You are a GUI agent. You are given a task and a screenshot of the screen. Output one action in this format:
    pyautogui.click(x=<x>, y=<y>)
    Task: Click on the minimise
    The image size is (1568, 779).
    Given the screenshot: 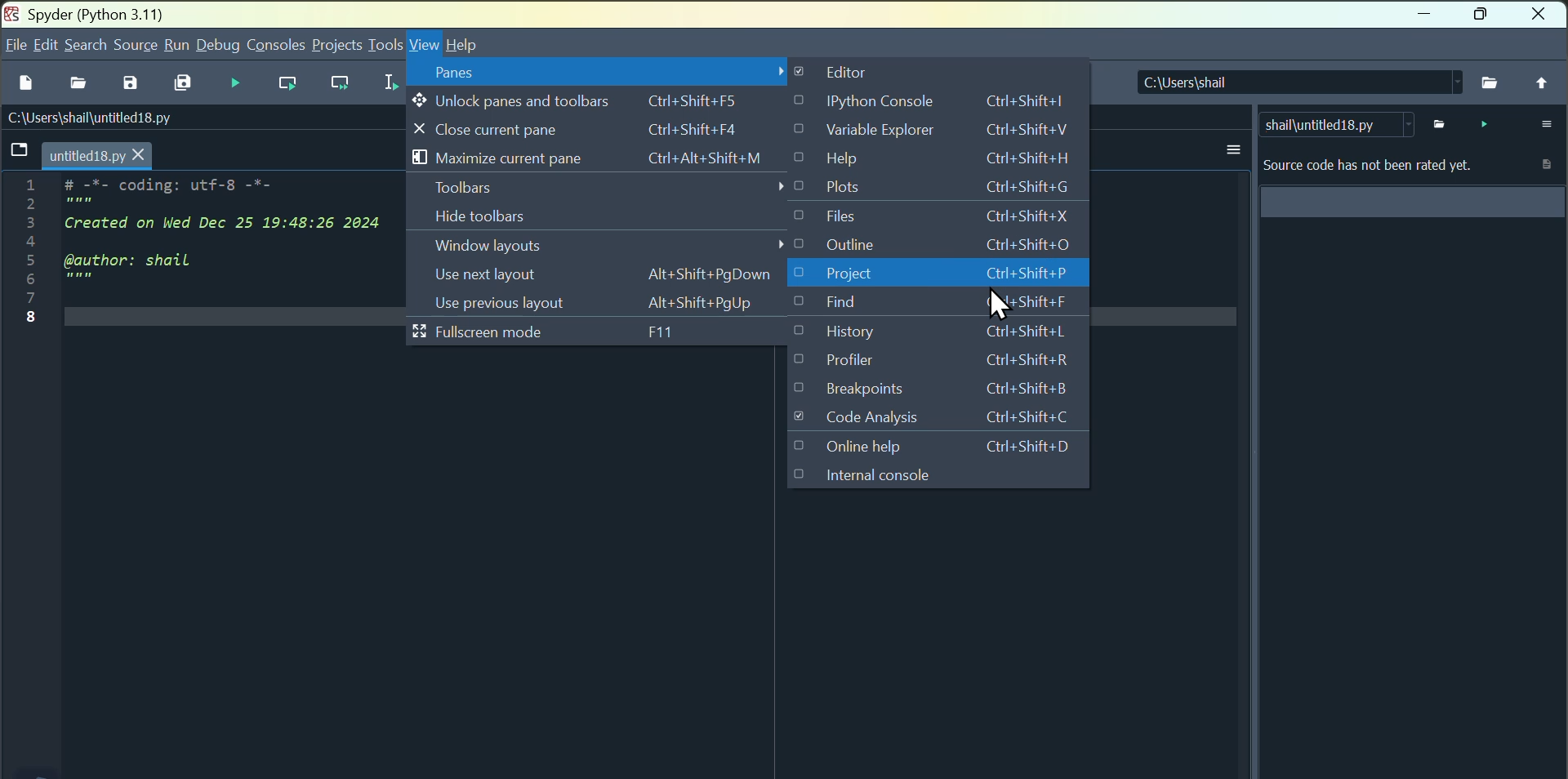 What is the action you would take?
    pyautogui.click(x=1419, y=15)
    